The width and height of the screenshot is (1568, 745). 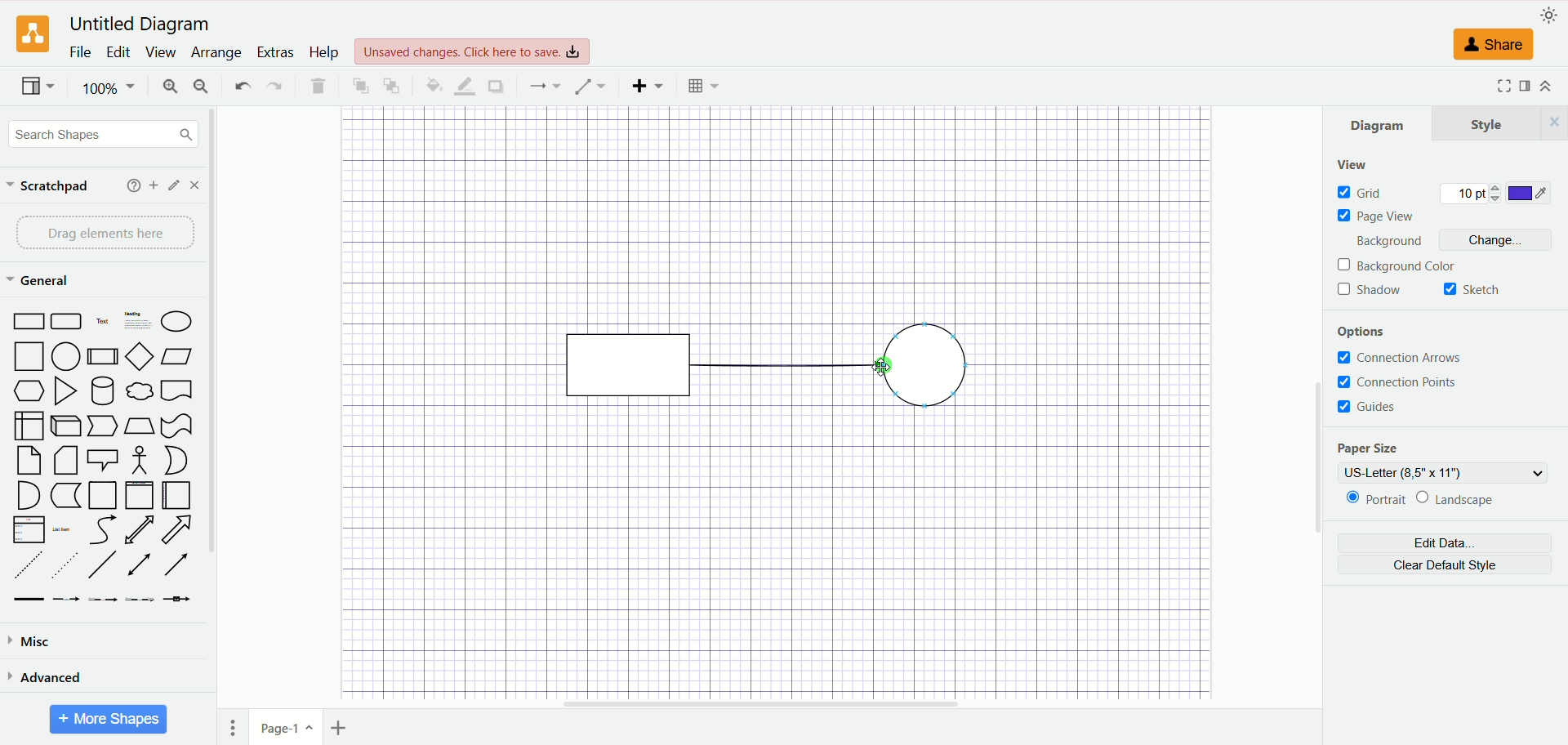 I want to click on Stick Figure, so click(x=142, y=460).